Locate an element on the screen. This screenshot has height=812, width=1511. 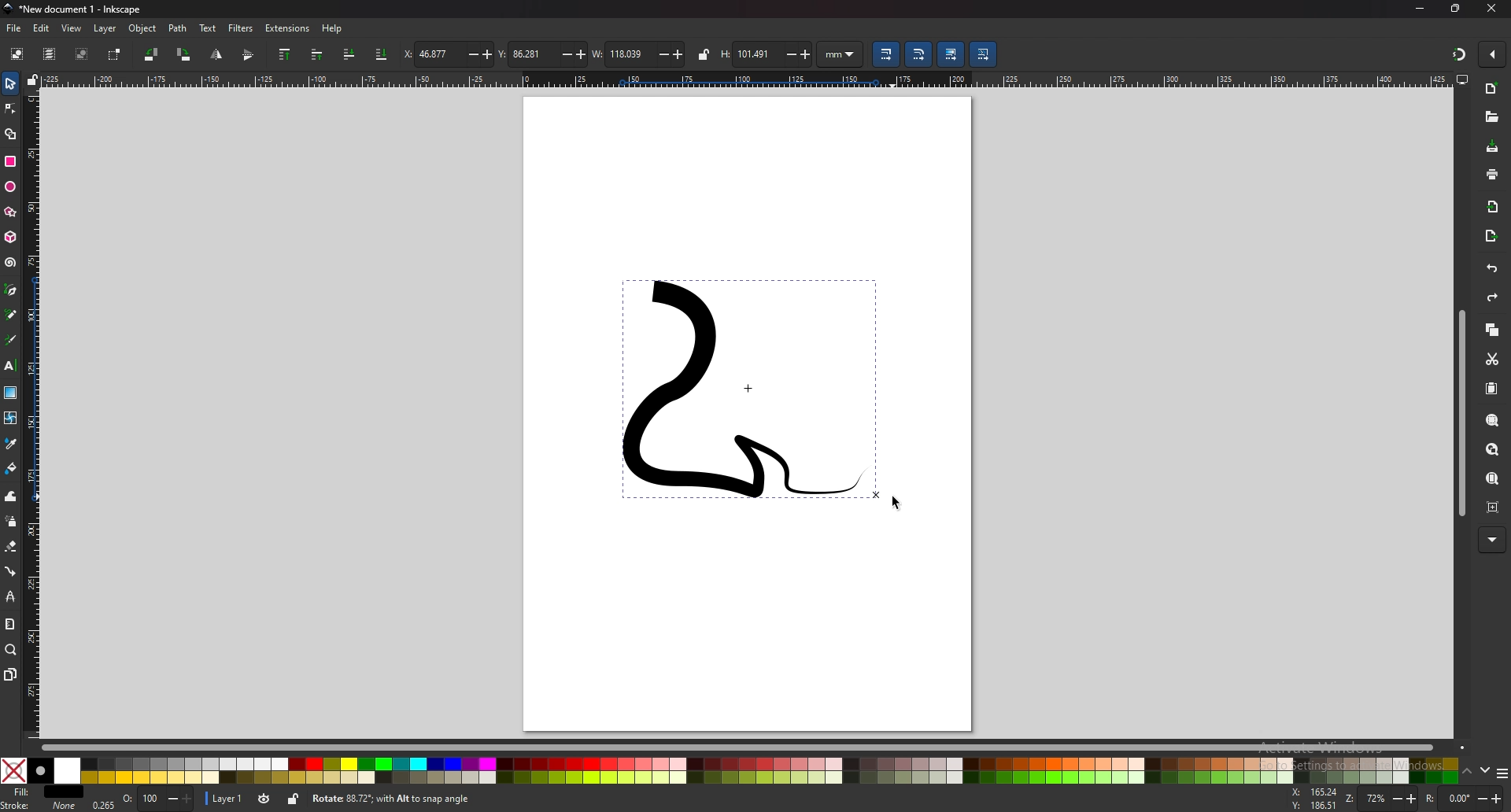
help is located at coordinates (332, 30).